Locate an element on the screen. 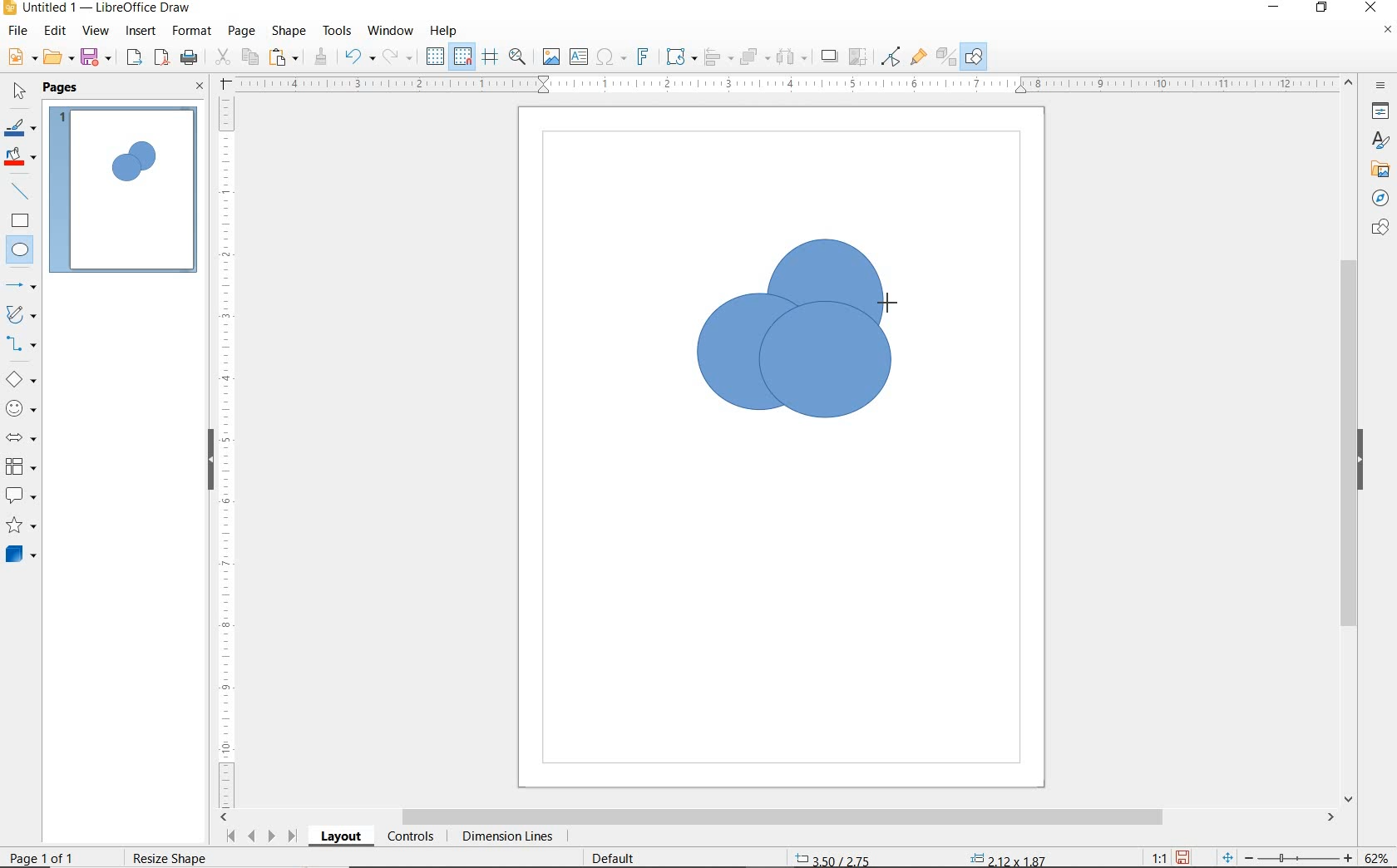  EDIT is located at coordinates (56, 31).